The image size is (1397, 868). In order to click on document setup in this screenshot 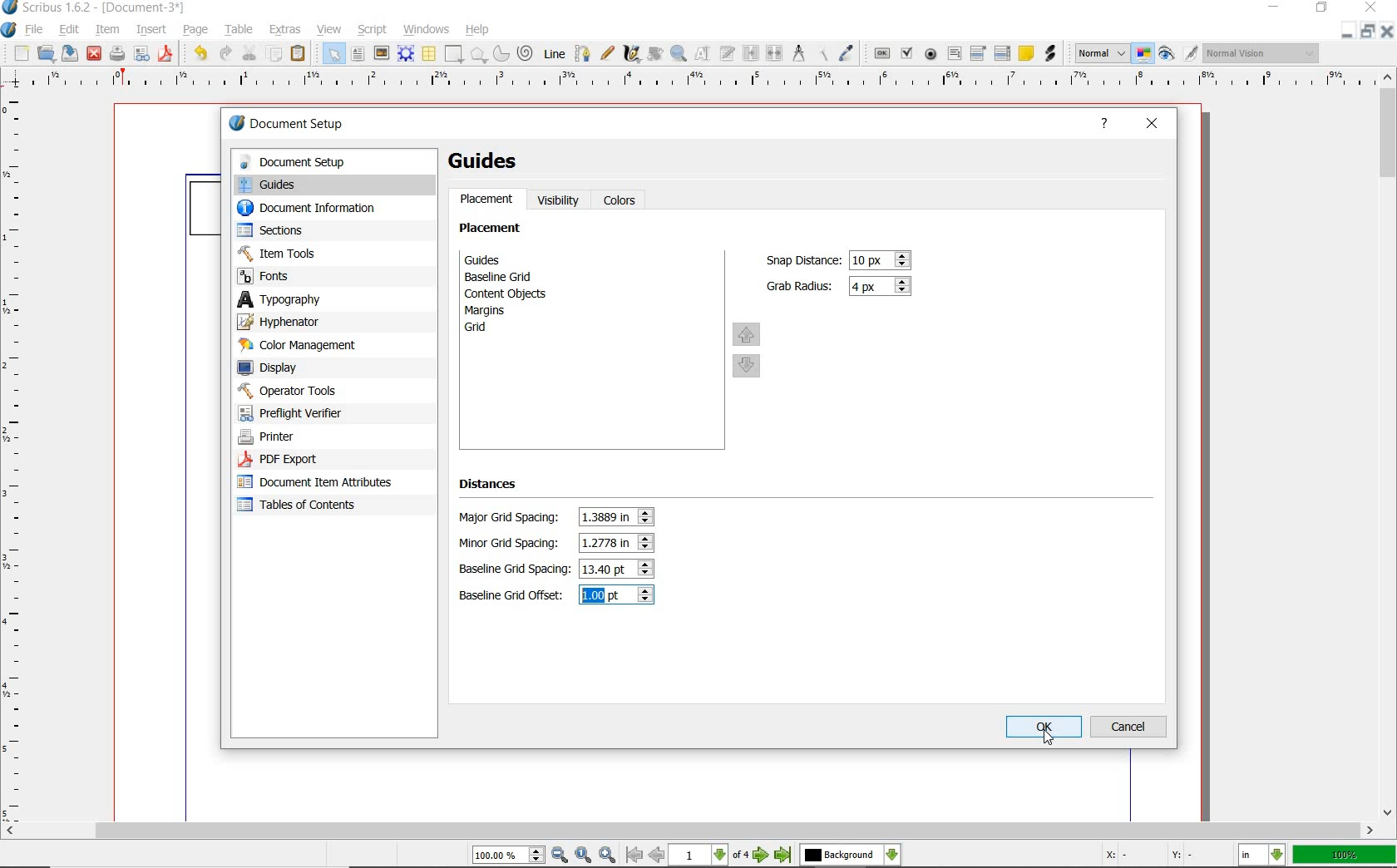, I will do `click(332, 162)`.